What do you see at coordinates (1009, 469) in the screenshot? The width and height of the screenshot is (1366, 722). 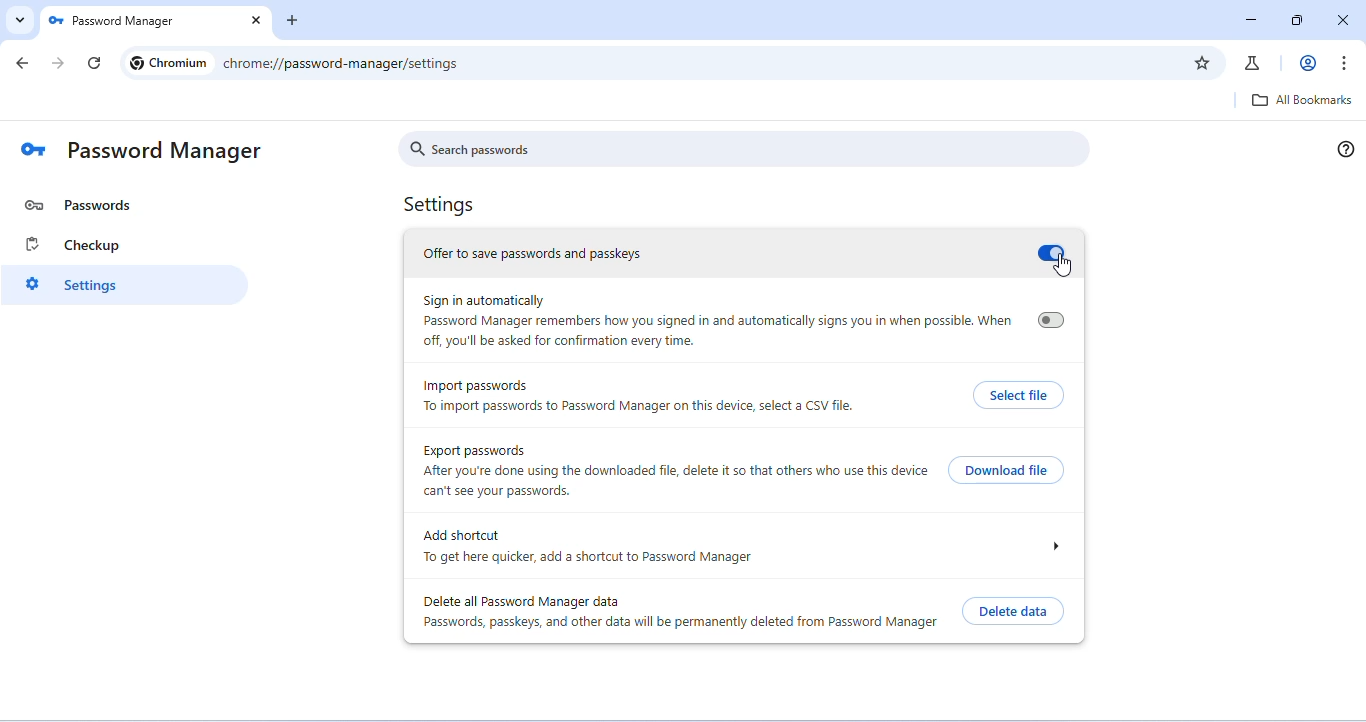 I see `download file` at bounding box center [1009, 469].